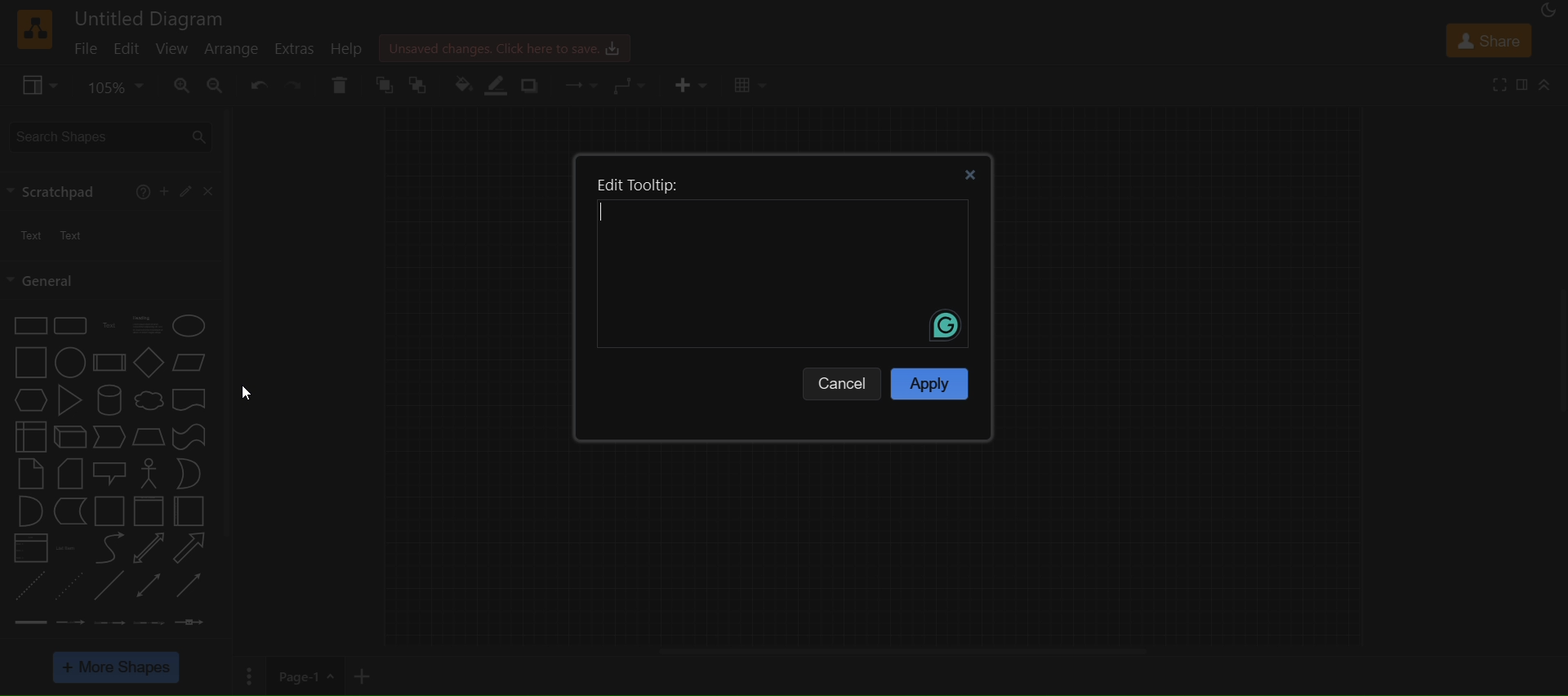  What do you see at coordinates (128, 51) in the screenshot?
I see `edit` at bounding box center [128, 51].